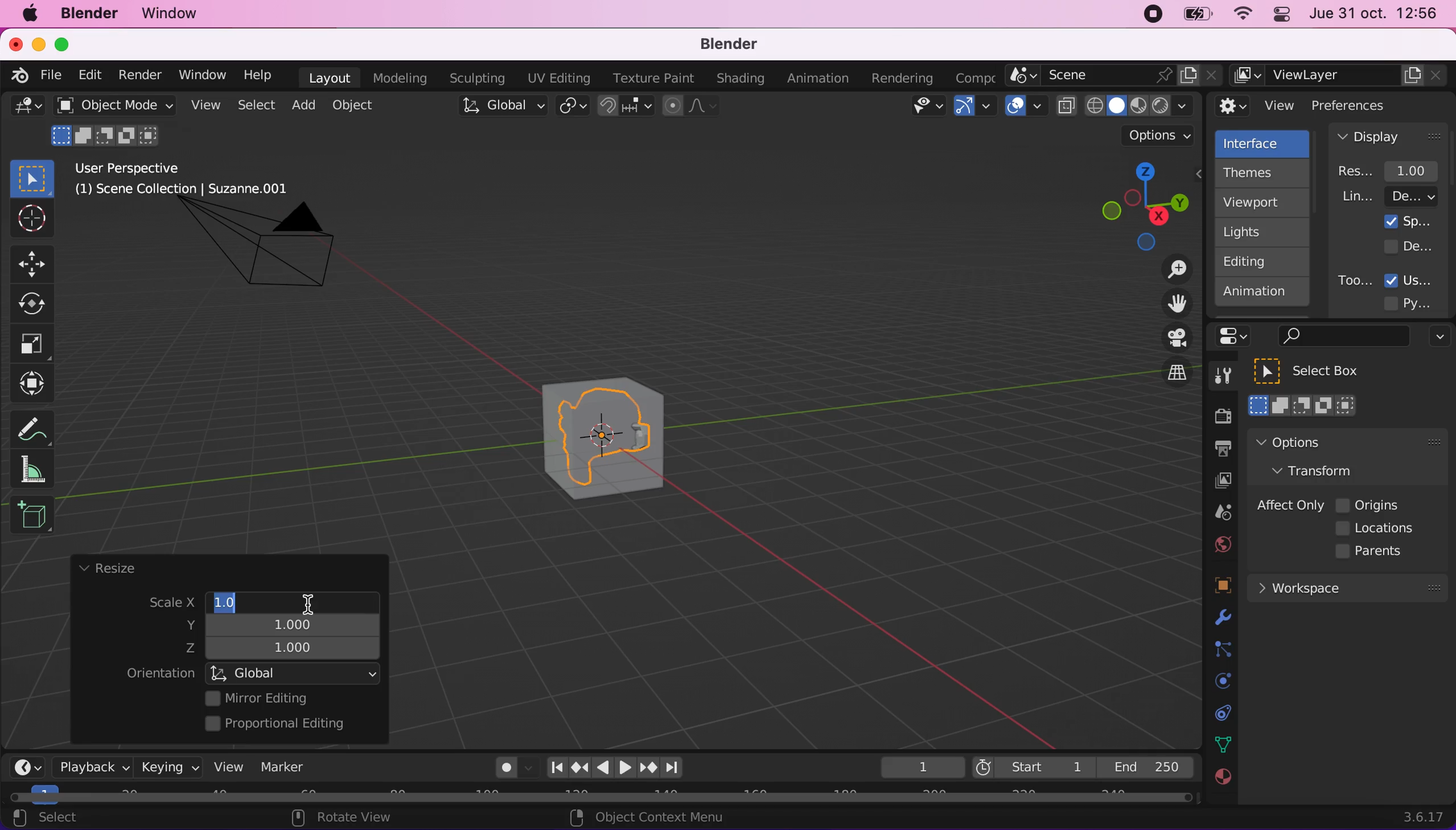 Image resolution: width=1456 pixels, height=830 pixels. I want to click on interface, so click(1264, 142).